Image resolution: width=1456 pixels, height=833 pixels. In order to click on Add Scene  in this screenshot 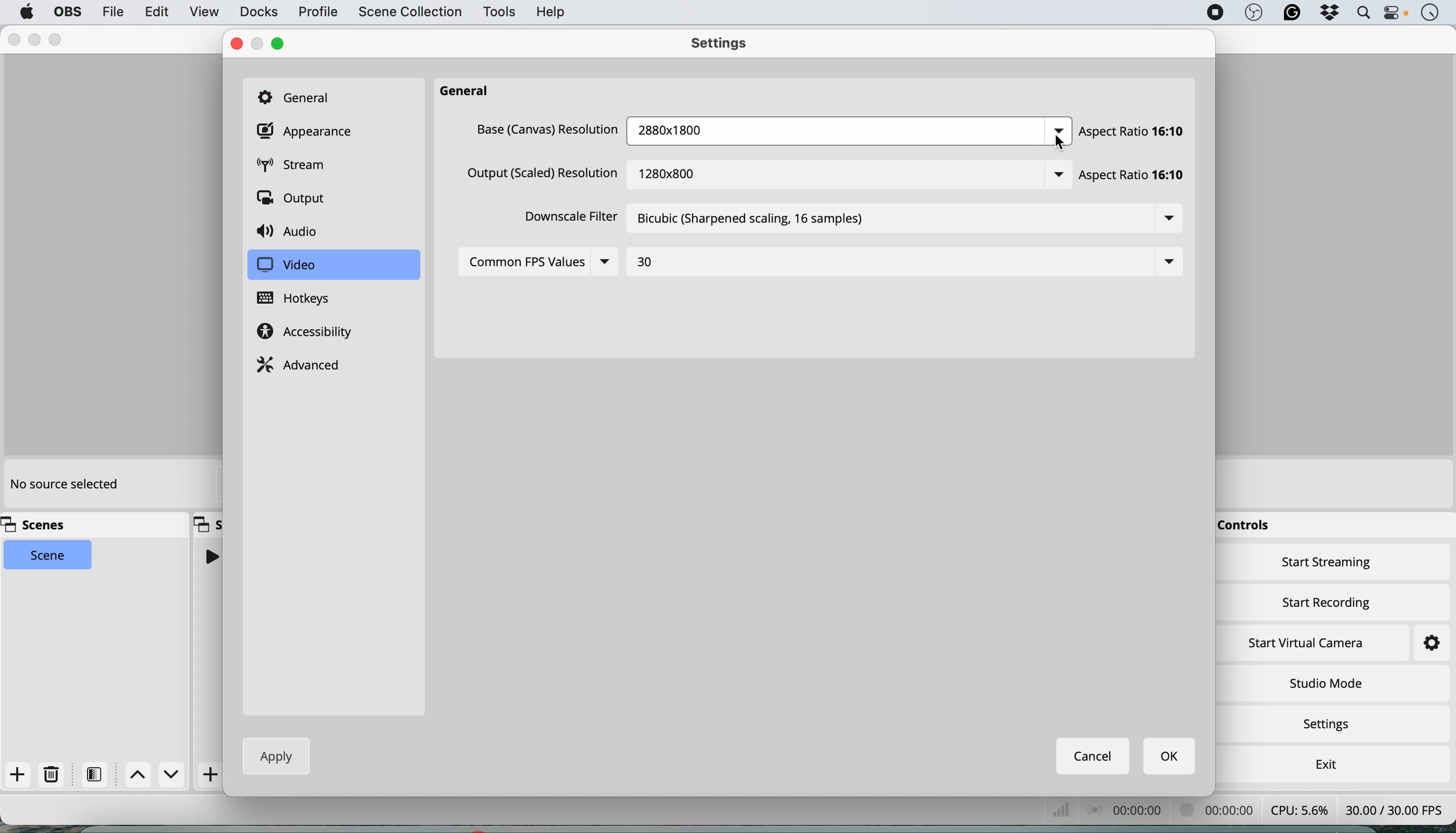, I will do `click(212, 775)`.